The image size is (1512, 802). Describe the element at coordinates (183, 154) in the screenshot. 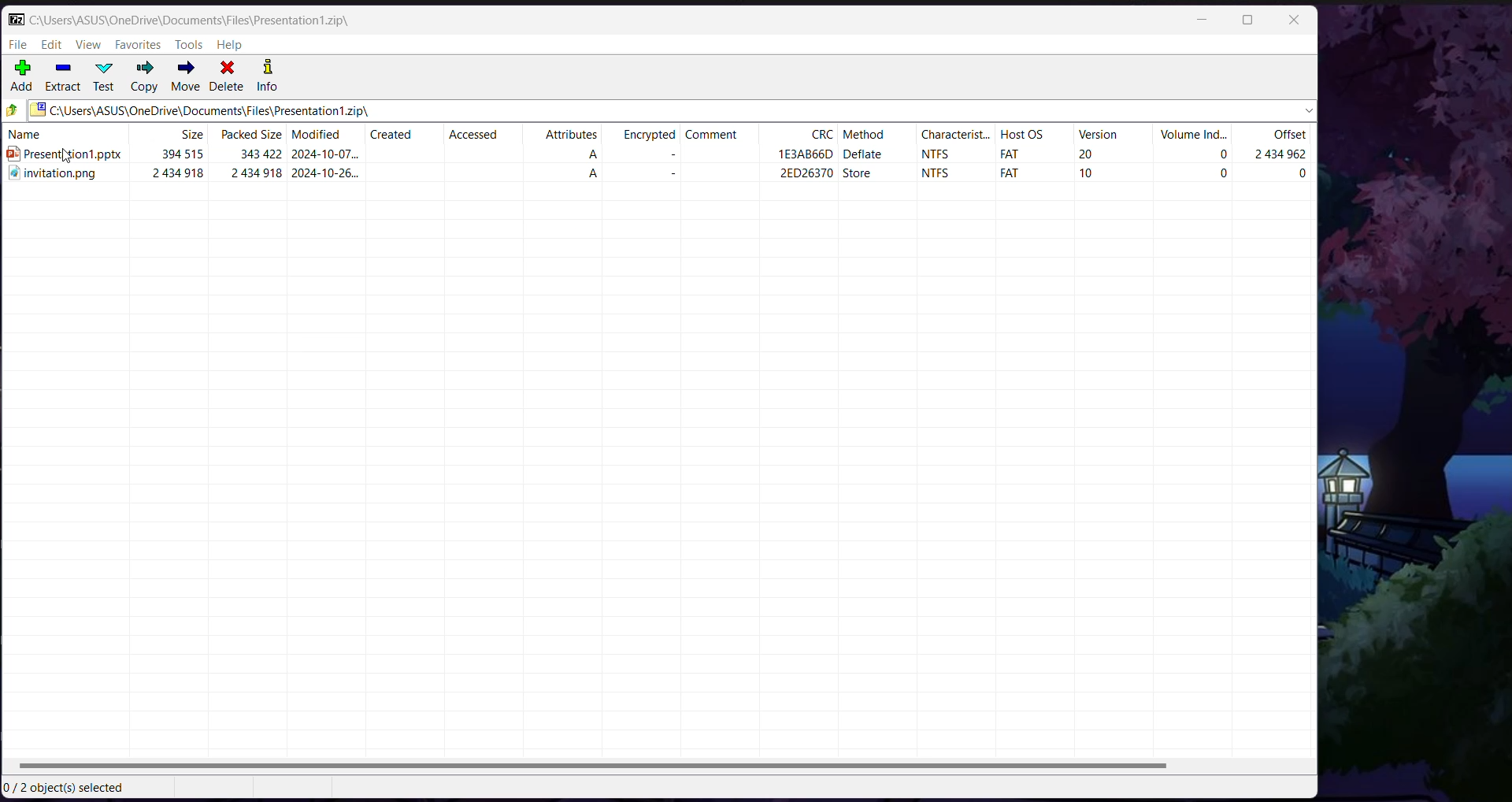

I see `394515` at that location.